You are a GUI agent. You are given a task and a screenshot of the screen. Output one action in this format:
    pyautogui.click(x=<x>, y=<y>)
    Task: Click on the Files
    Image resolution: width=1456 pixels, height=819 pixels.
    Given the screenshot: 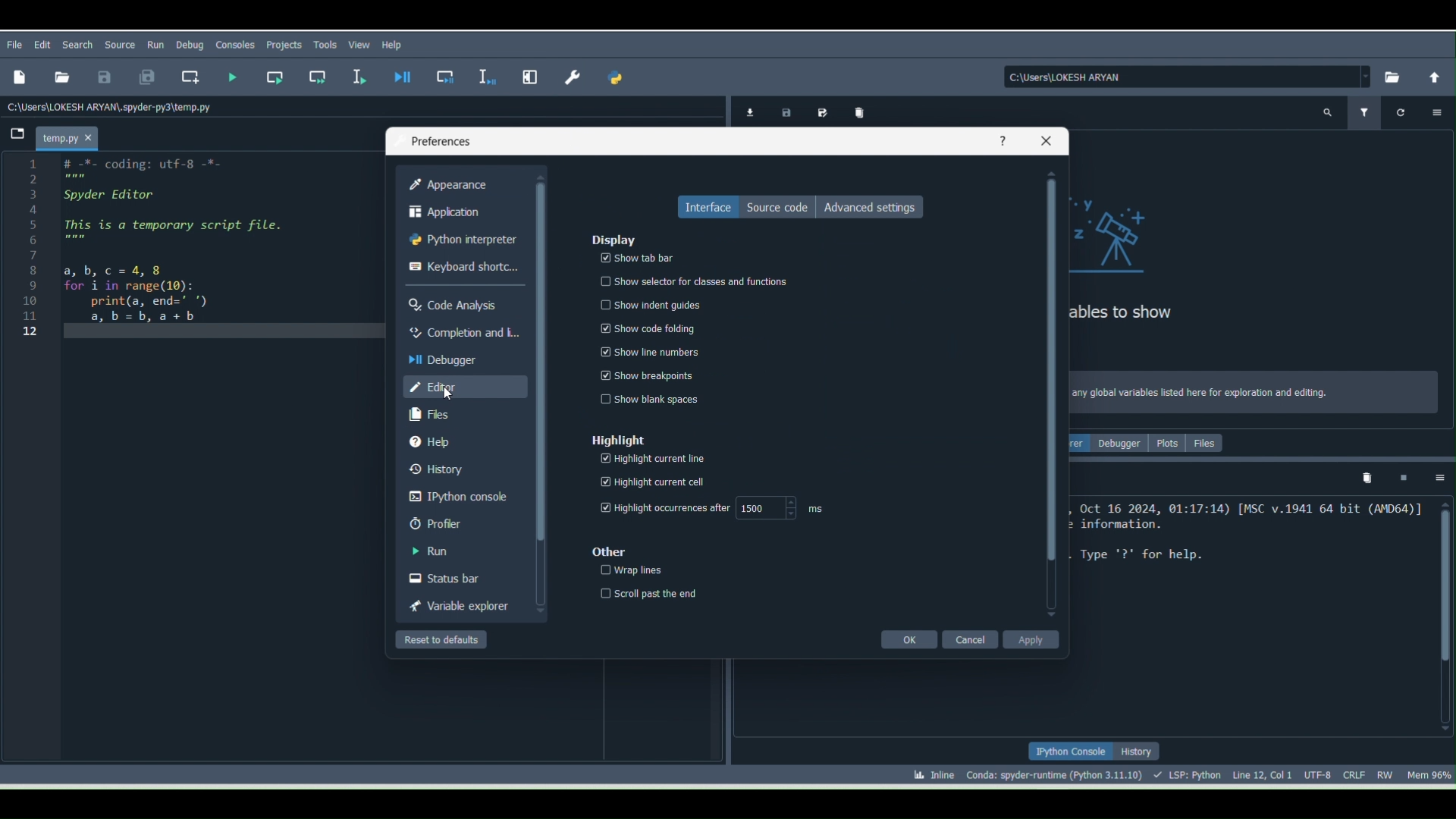 What is the action you would take?
    pyautogui.click(x=1207, y=441)
    